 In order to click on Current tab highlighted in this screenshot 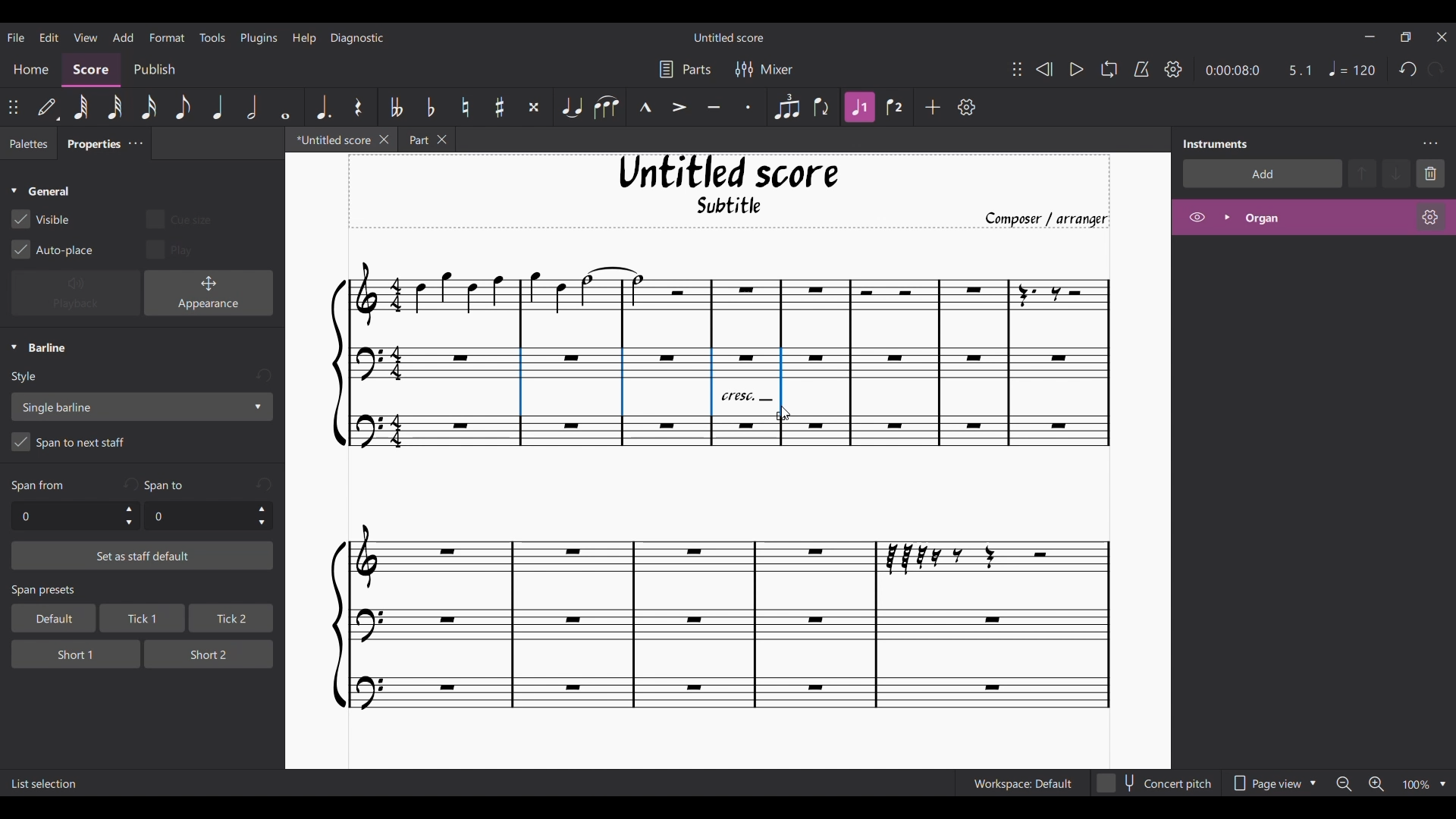, I will do `click(328, 142)`.